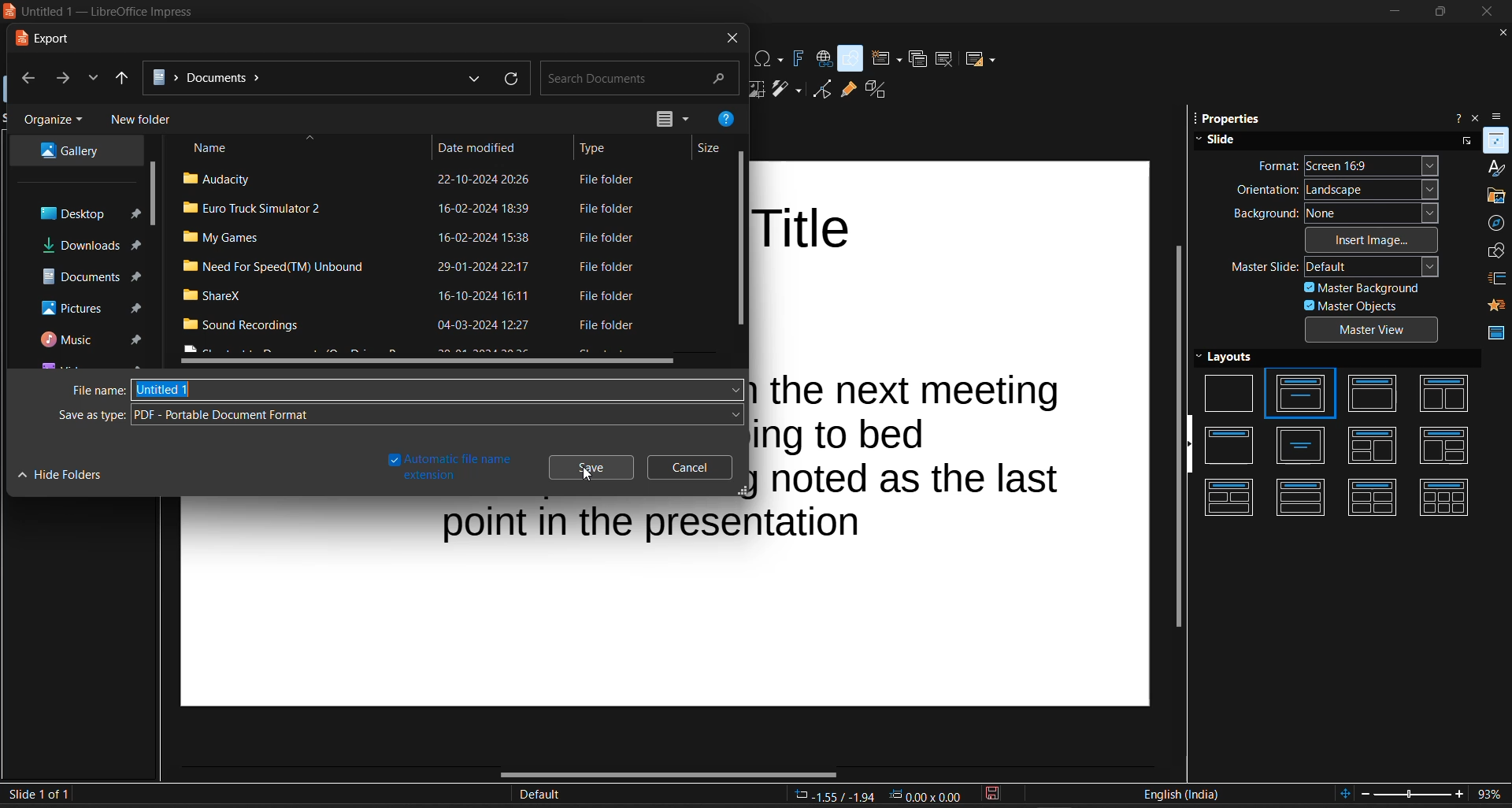 This screenshot has height=808, width=1512. What do you see at coordinates (1496, 169) in the screenshot?
I see `styles` at bounding box center [1496, 169].